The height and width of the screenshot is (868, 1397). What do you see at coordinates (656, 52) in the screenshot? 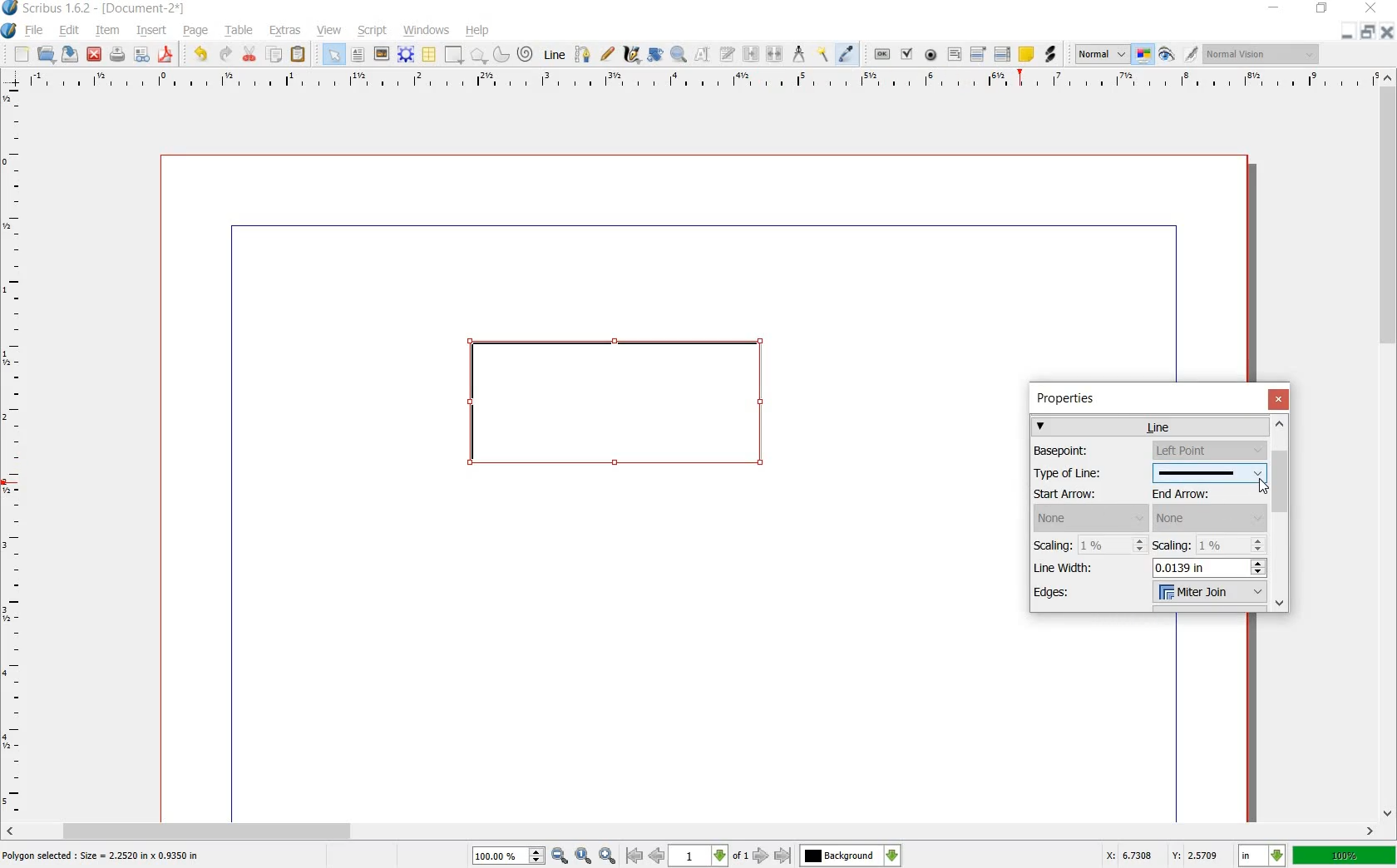
I see `ROTATE ITEM` at bounding box center [656, 52].